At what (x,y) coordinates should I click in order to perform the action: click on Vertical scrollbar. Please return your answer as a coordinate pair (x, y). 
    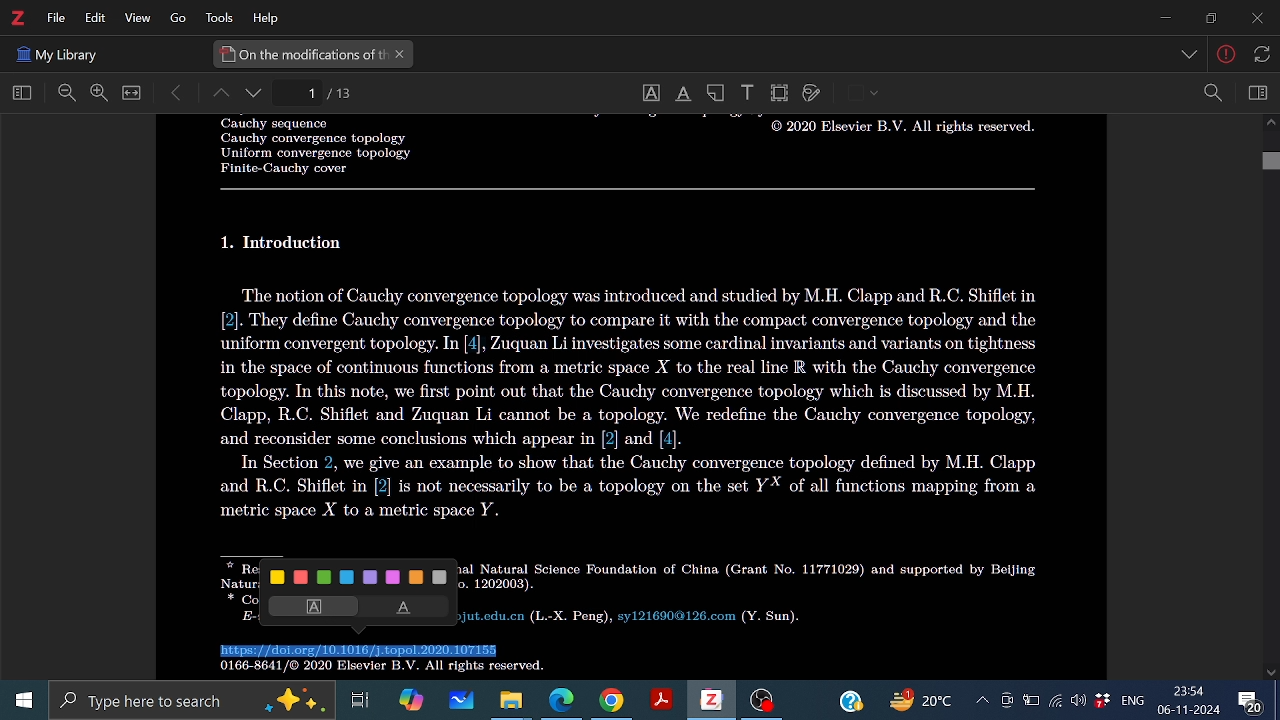
    Looking at the image, I should click on (1270, 163).